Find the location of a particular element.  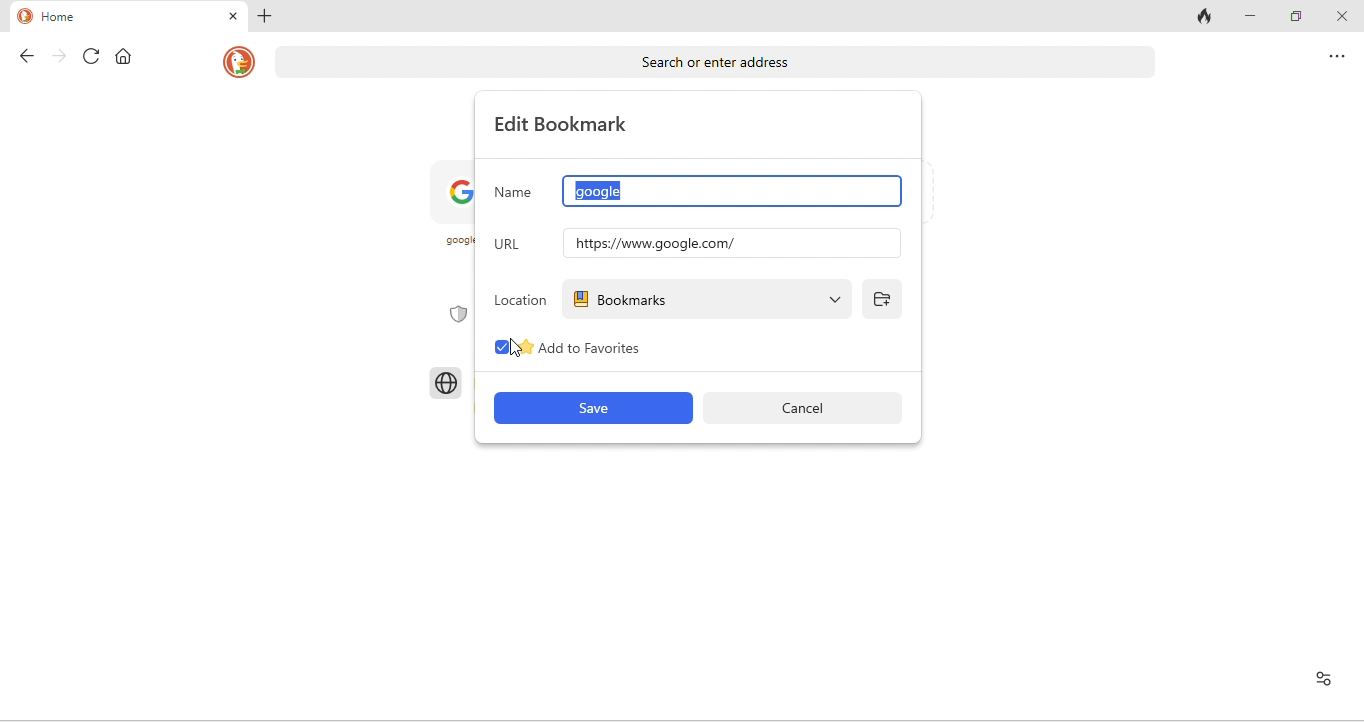

bookmarks is located at coordinates (709, 299).